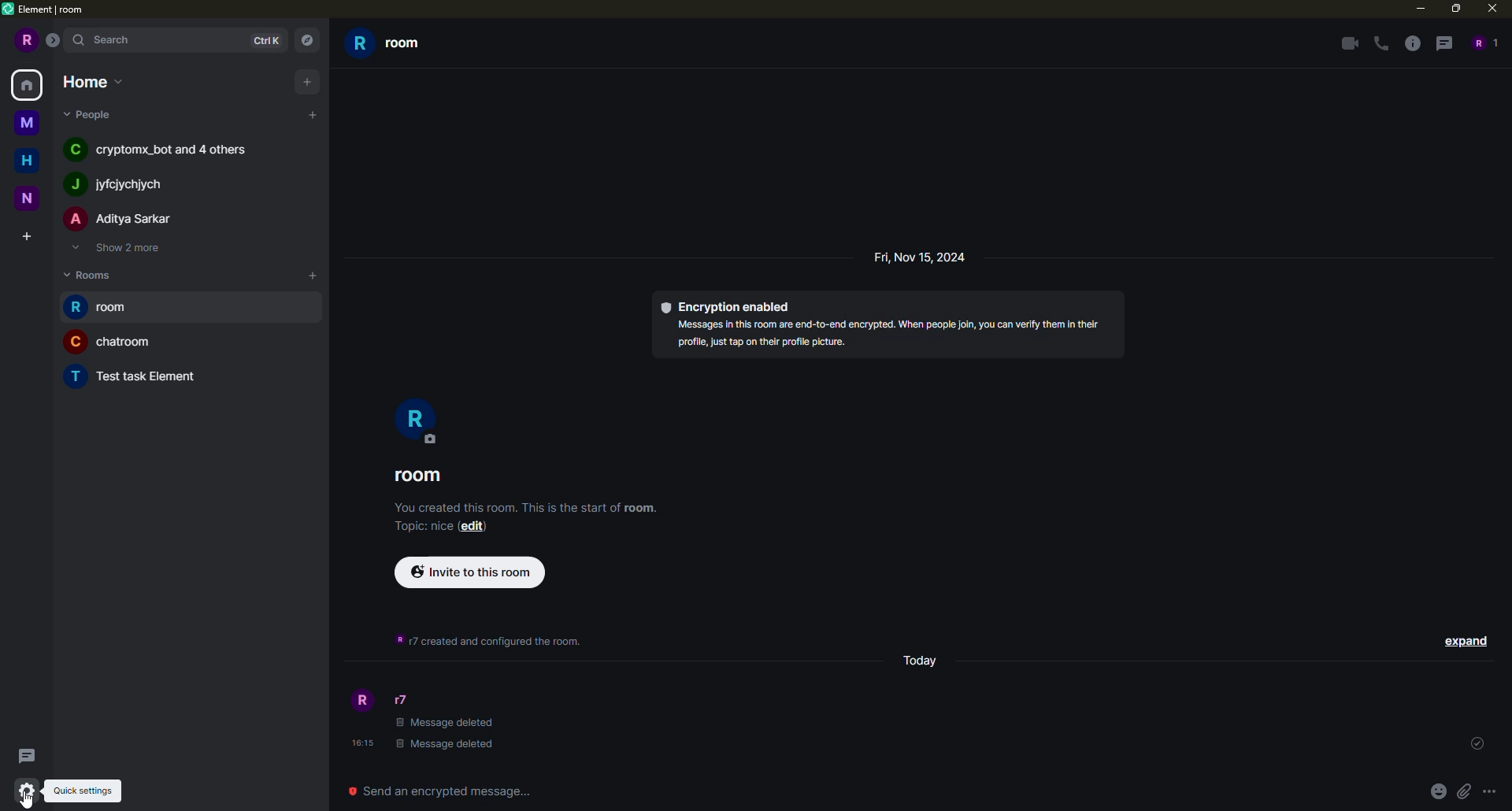  I want to click on threads, so click(1442, 43).